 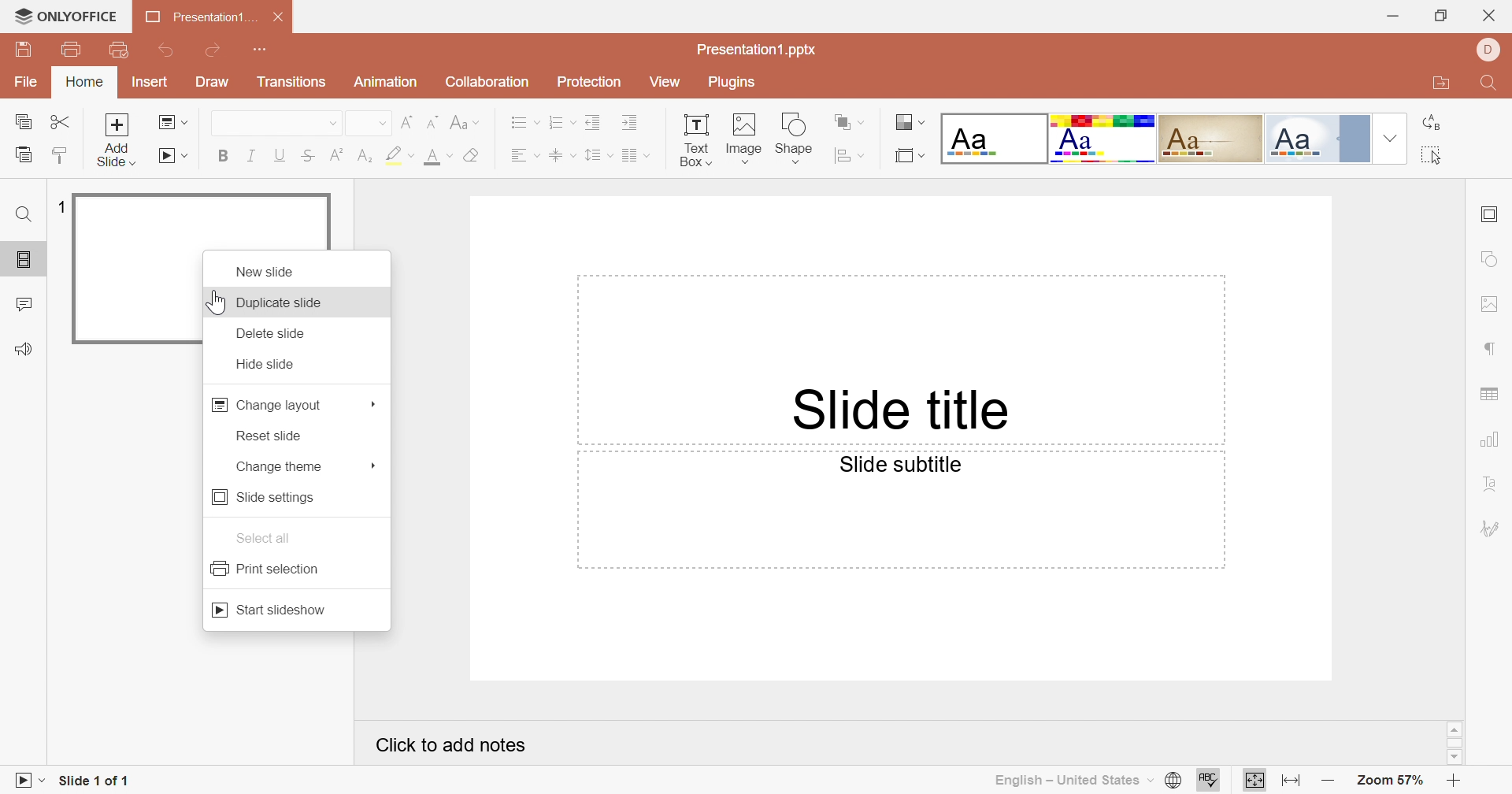 What do you see at coordinates (598, 120) in the screenshot?
I see `Decrease indent` at bounding box center [598, 120].